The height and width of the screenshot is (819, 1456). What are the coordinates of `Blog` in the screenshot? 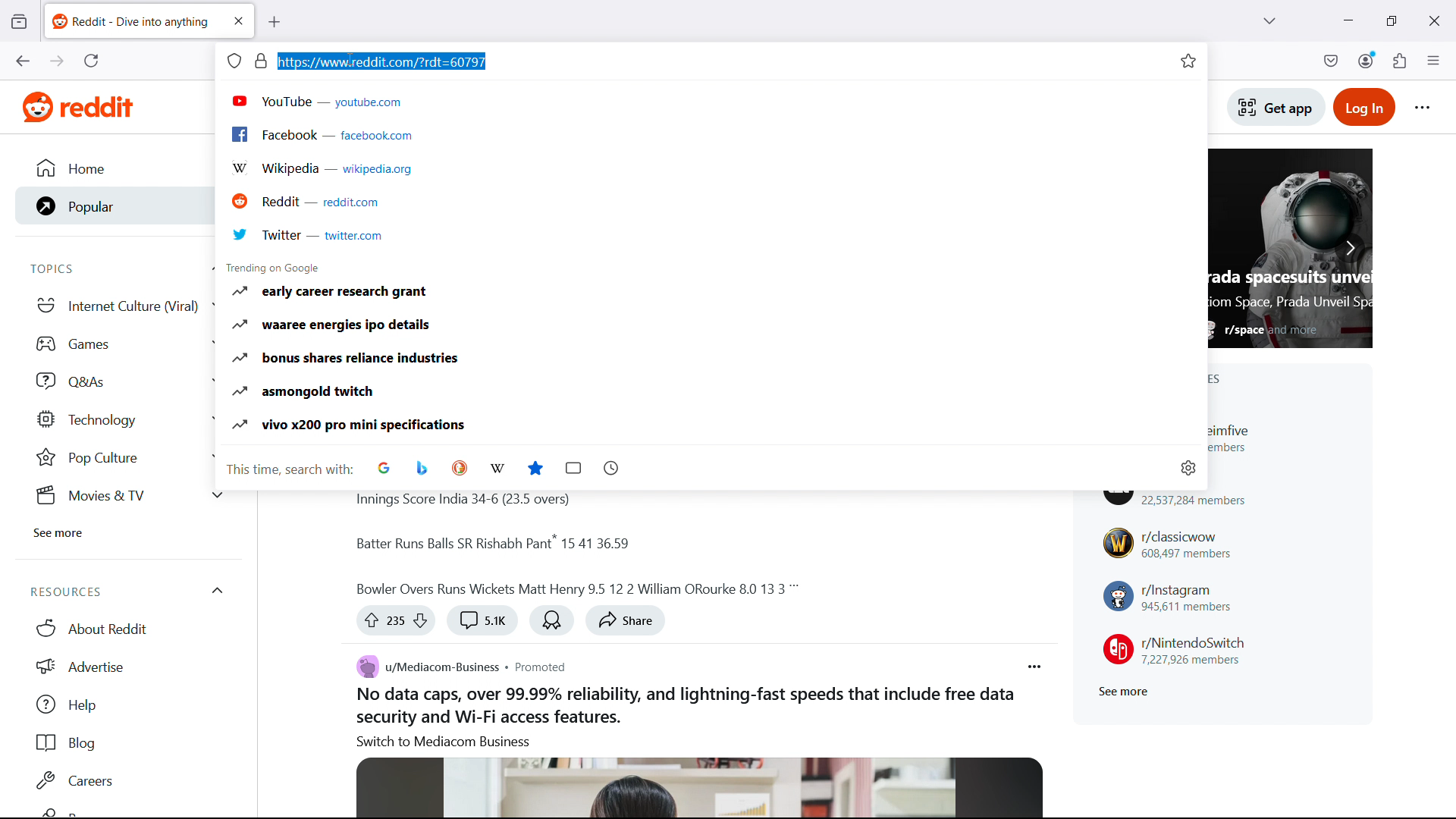 It's located at (126, 743).